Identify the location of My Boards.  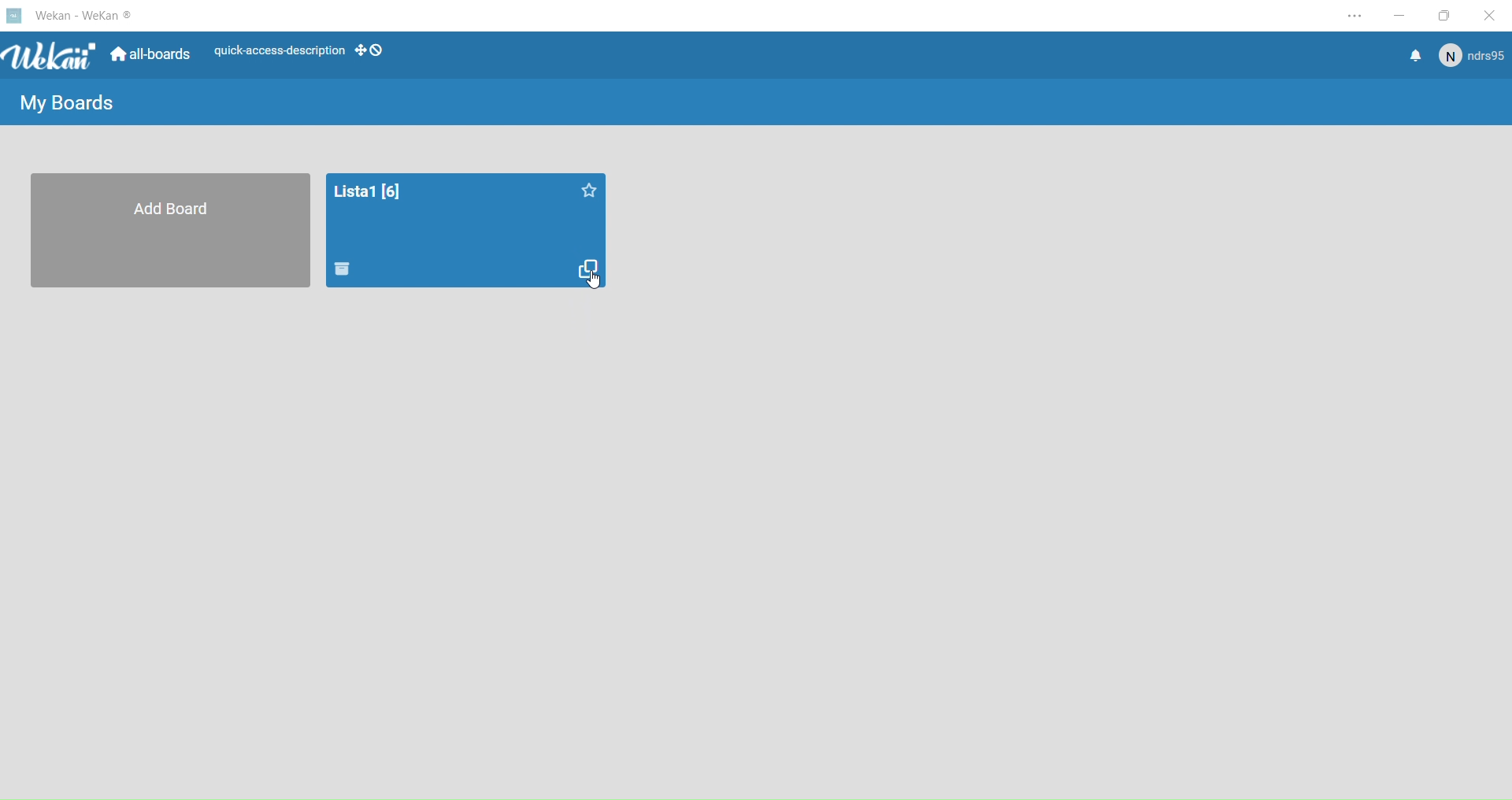
(69, 104).